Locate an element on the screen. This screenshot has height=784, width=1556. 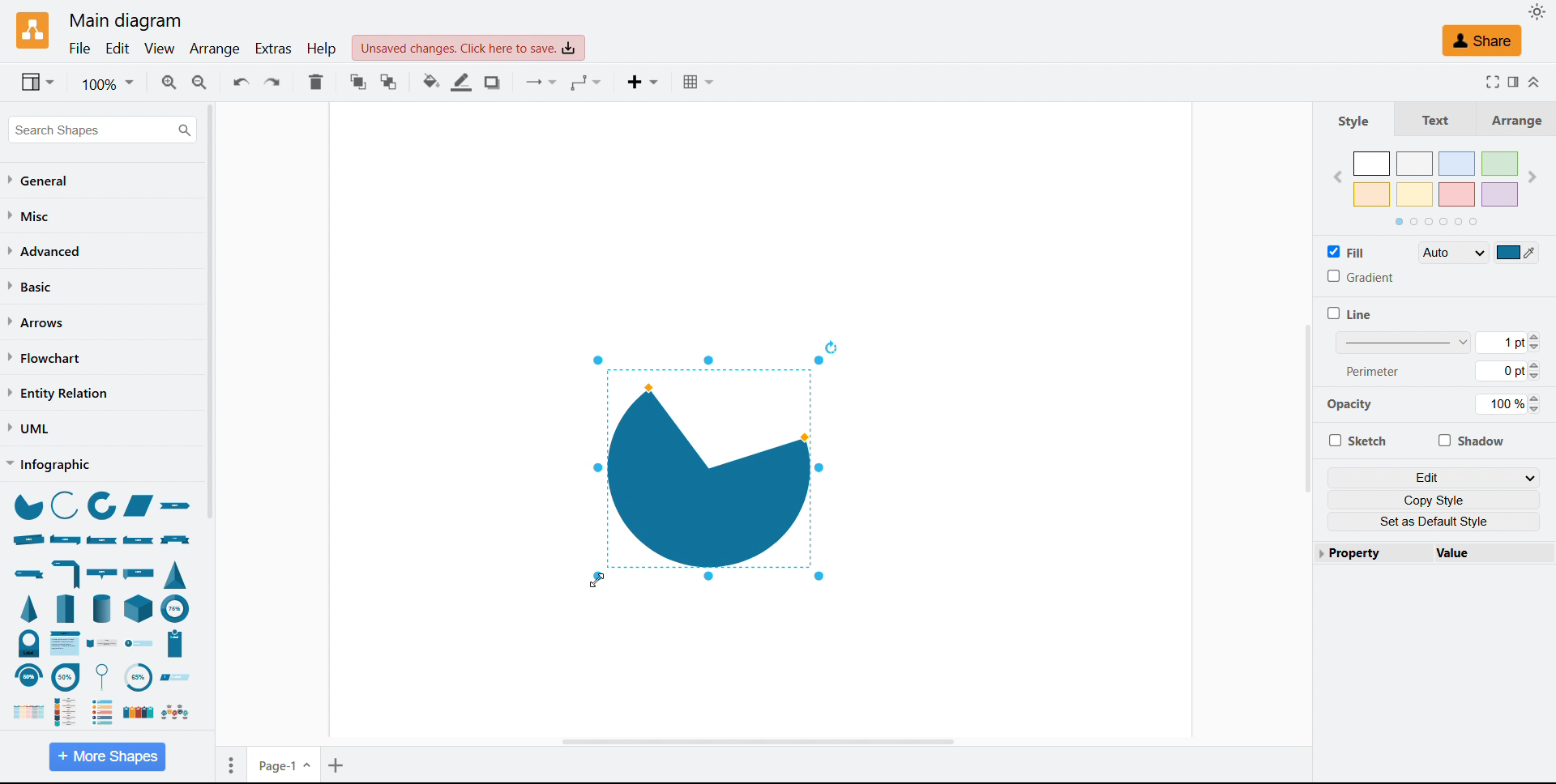
banner half fold is located at coordinates (67, 573).